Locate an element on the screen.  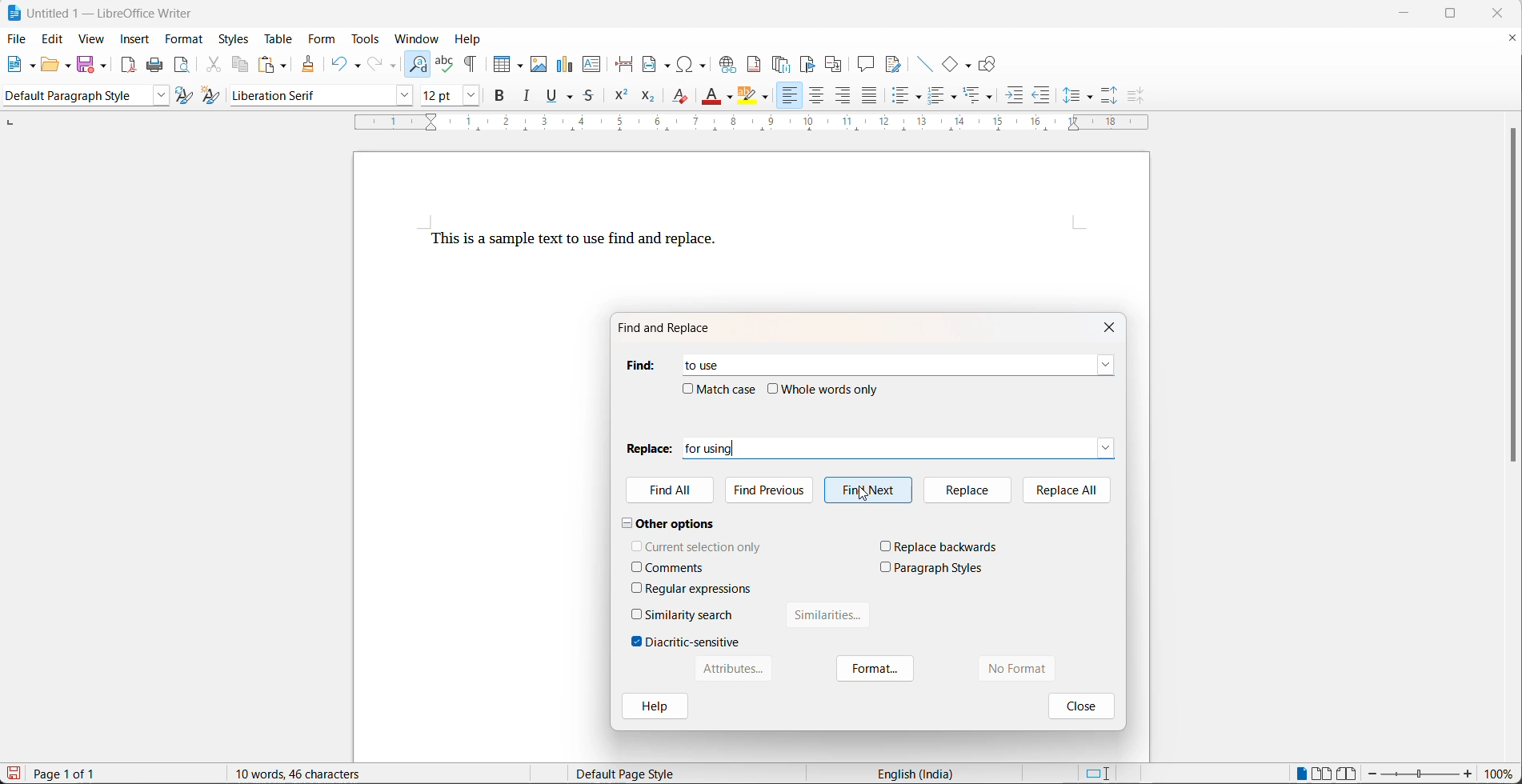
text align left is located at coordinates (844, 98).